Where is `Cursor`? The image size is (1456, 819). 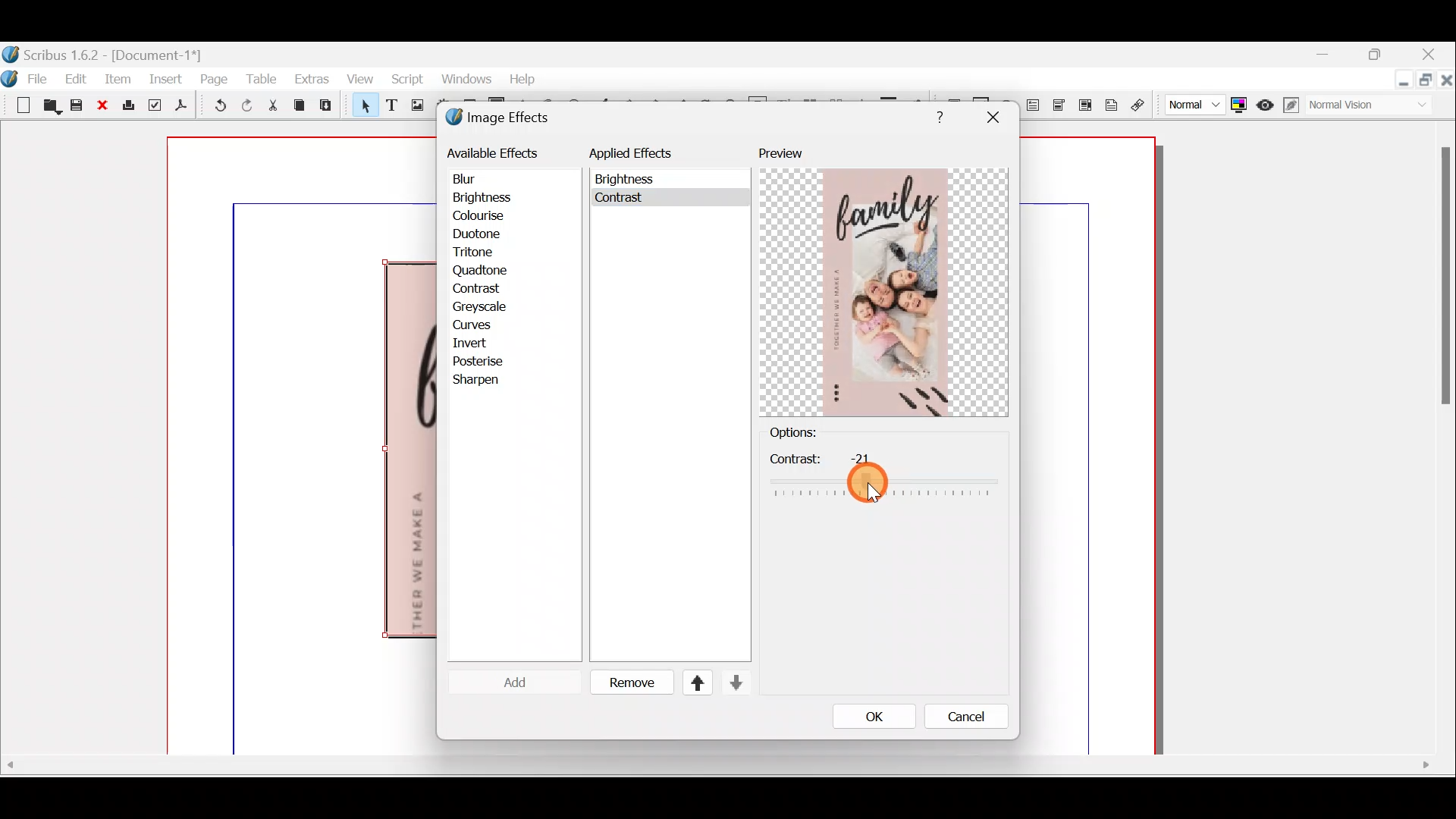
Cursor is located at coordinates (504, 682).